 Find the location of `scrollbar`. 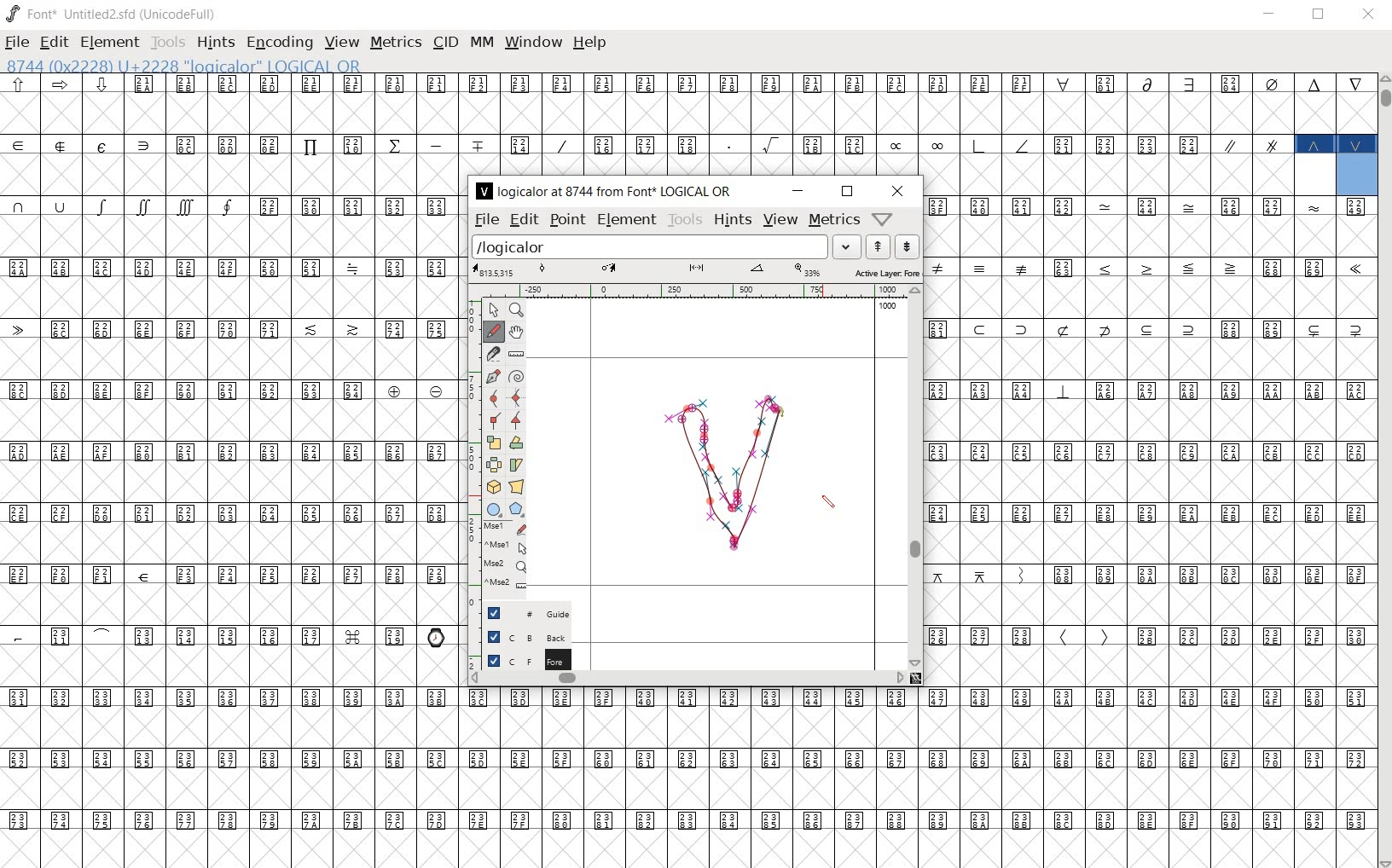

scrollbar is located at coordinates (917, 477).